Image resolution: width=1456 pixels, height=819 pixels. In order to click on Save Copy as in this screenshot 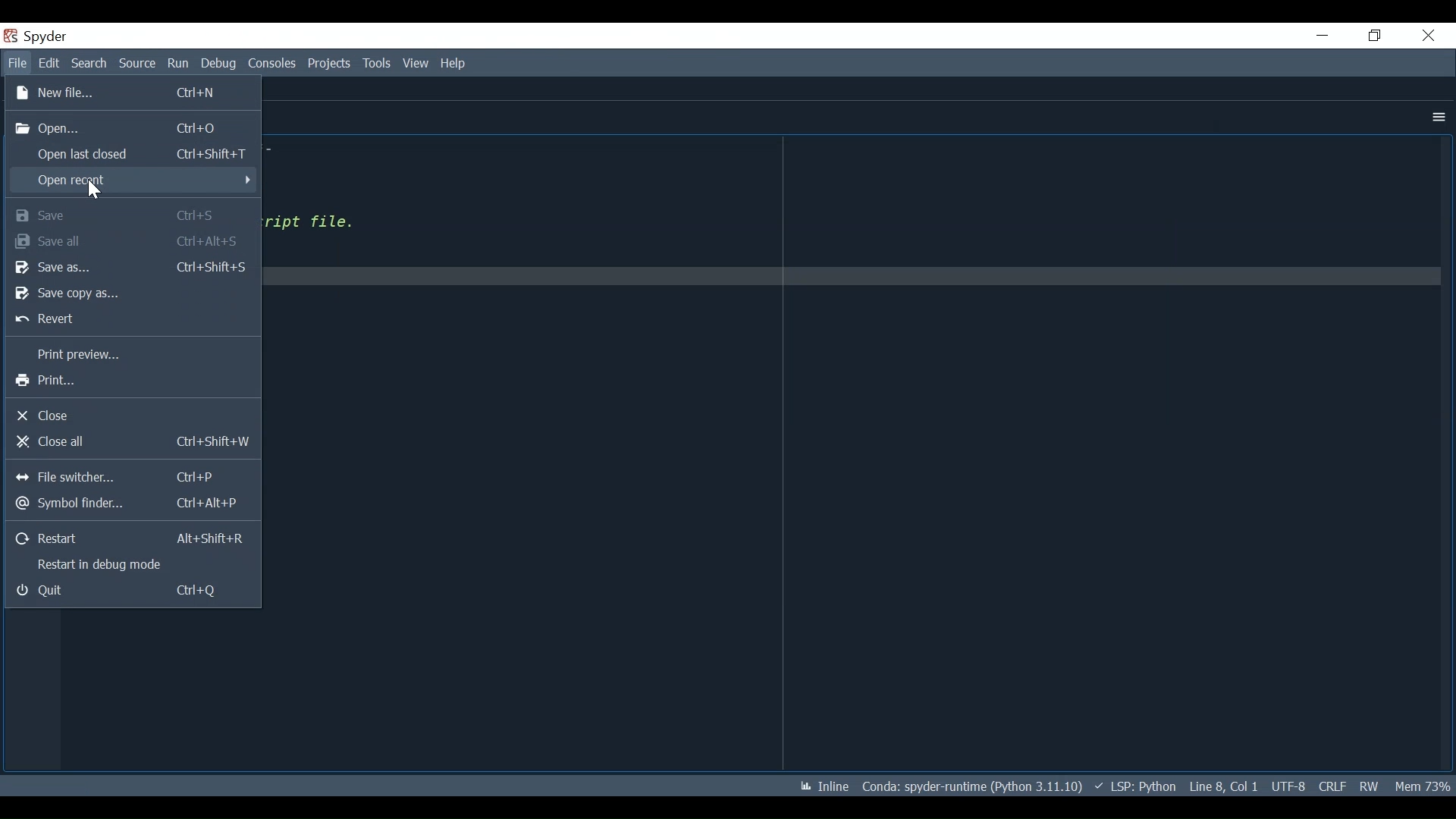, I will do `click(128, 293)`.